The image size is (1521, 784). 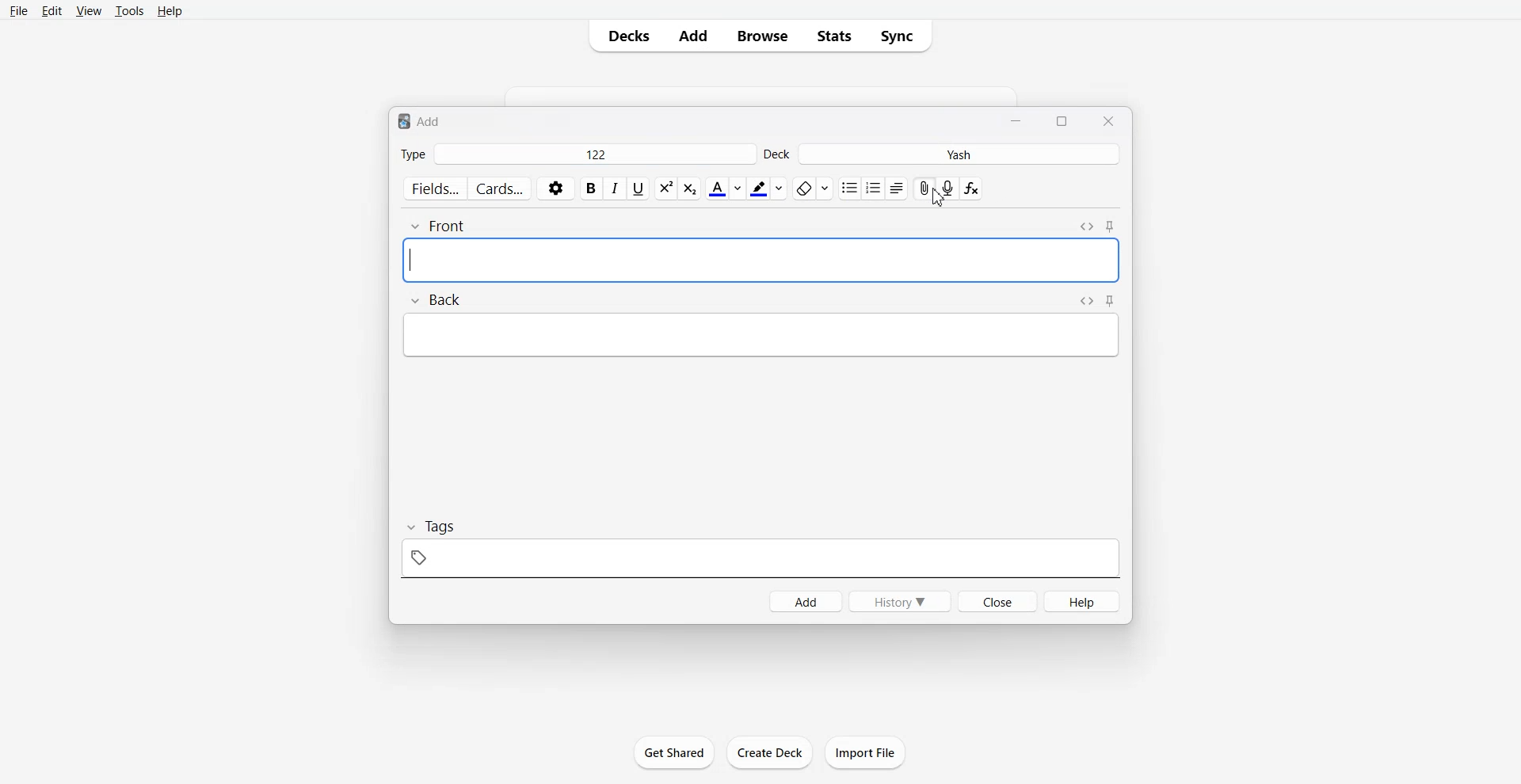 I want to click on Bold, so click(x=591, y=188).